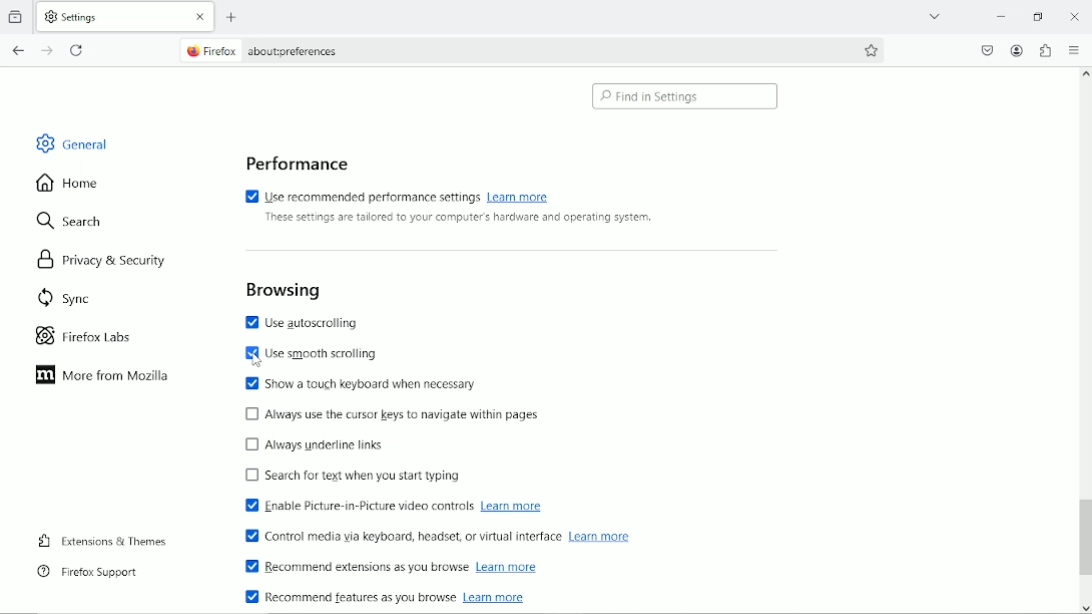 The image size is (1092, 614). Describe the element at coordinates (232, 17) in the screenshot. I see `New tab` at that location.